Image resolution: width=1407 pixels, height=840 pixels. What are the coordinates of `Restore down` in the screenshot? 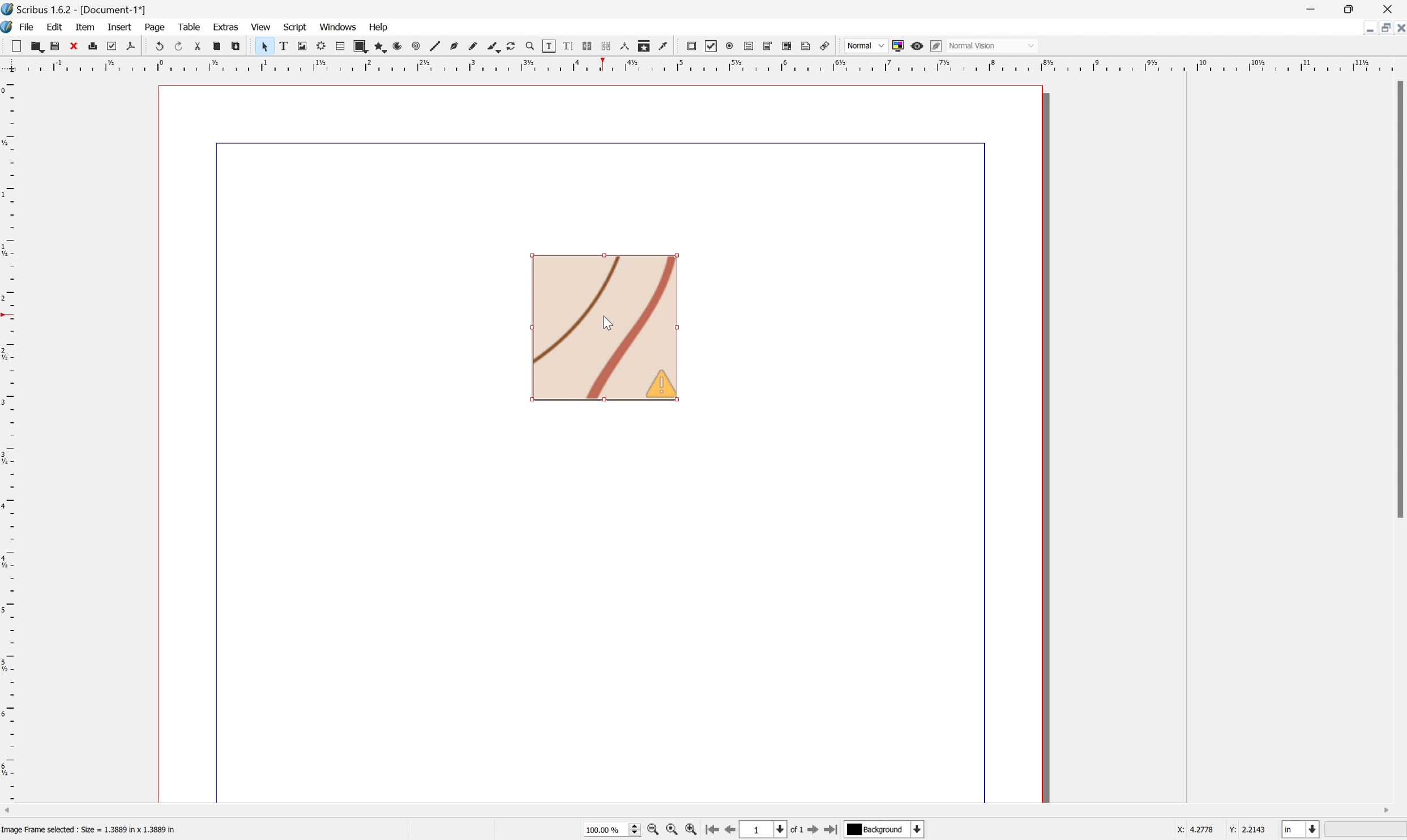 It's located at (1353, 8).